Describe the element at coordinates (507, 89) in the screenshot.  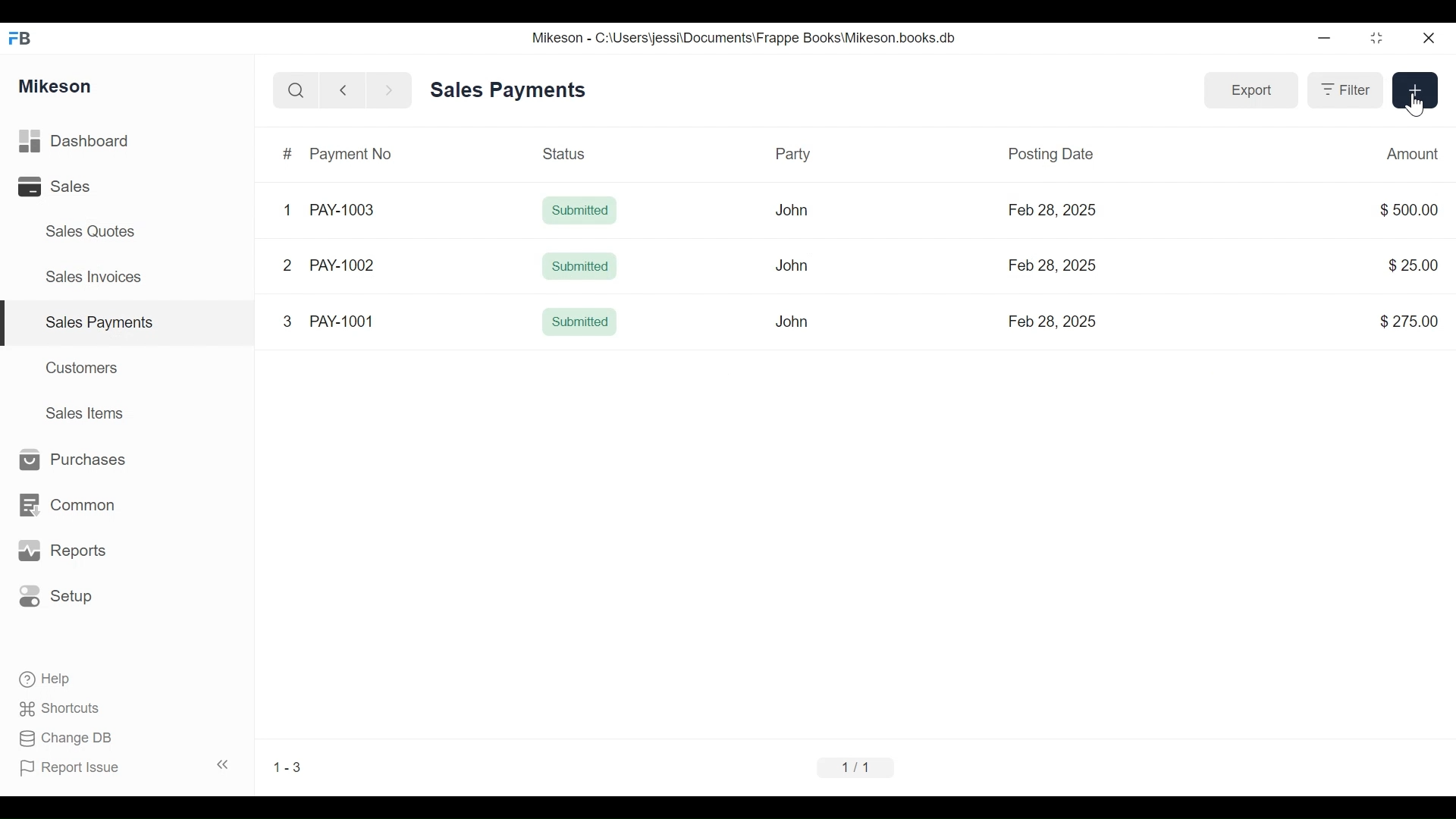
I see `Sales Payments` at that location.